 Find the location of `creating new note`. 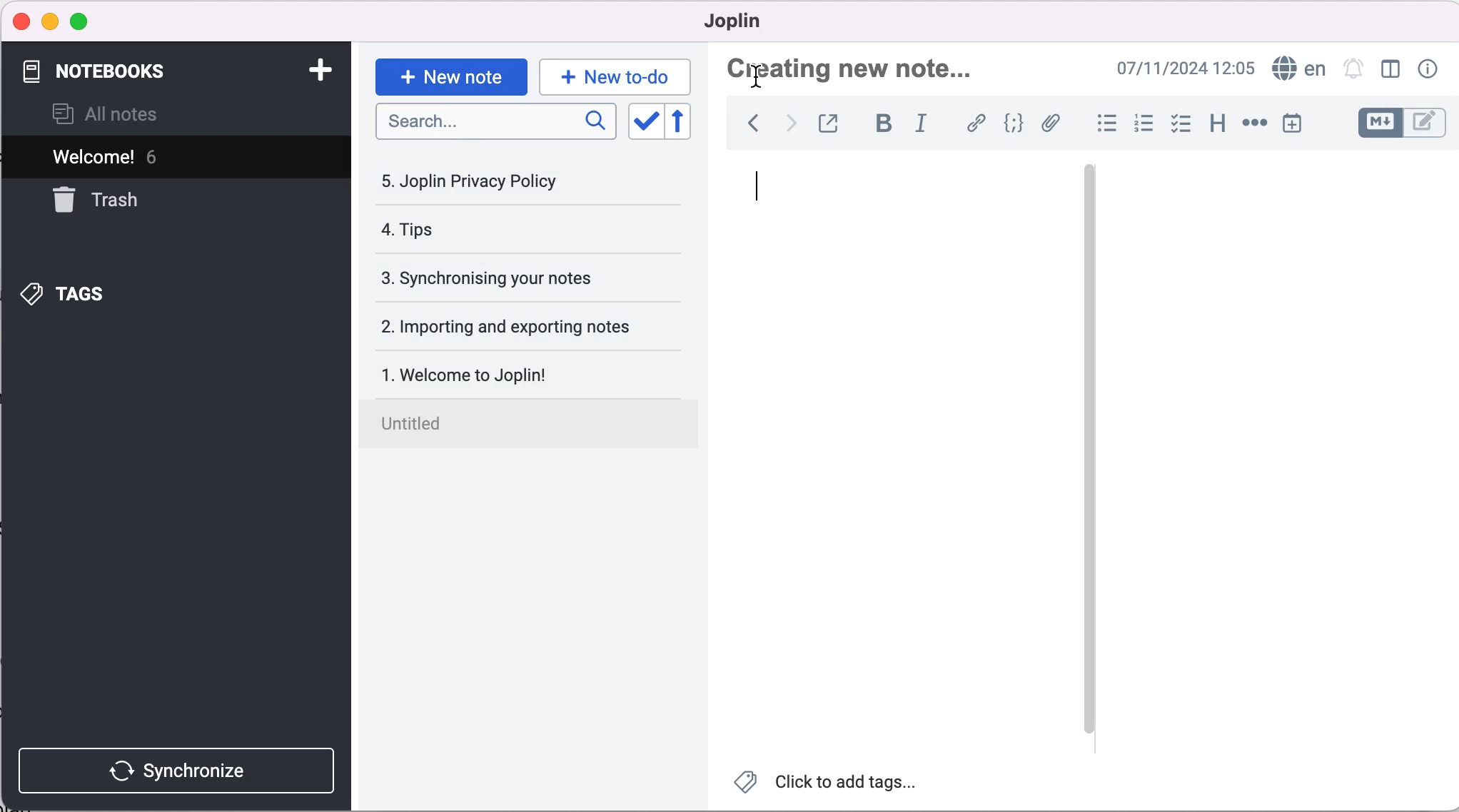

creating new note is located at coordinates (854, 68).